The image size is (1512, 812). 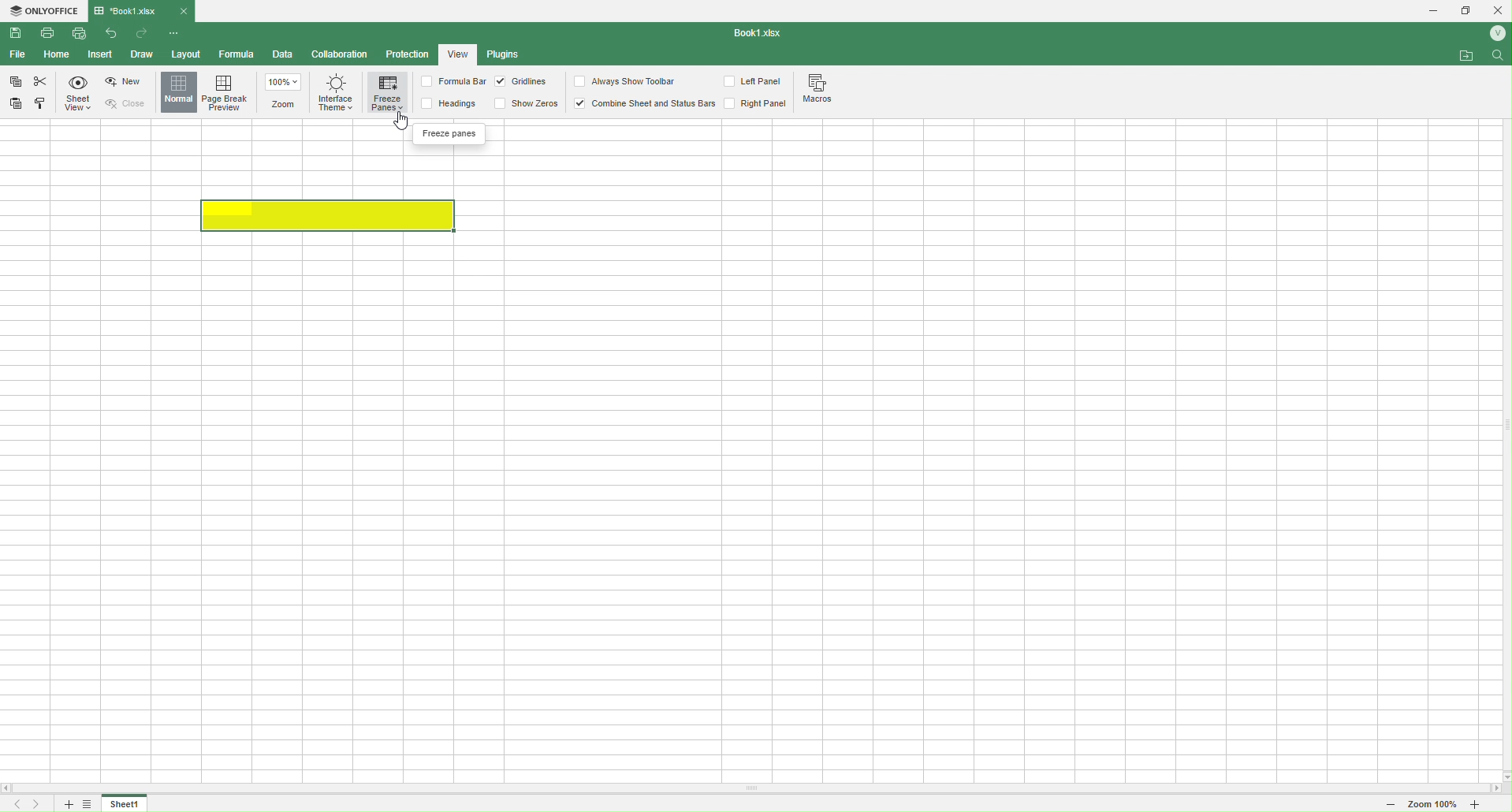 I want to click on Interface Theme, so click(x=335, y=98).